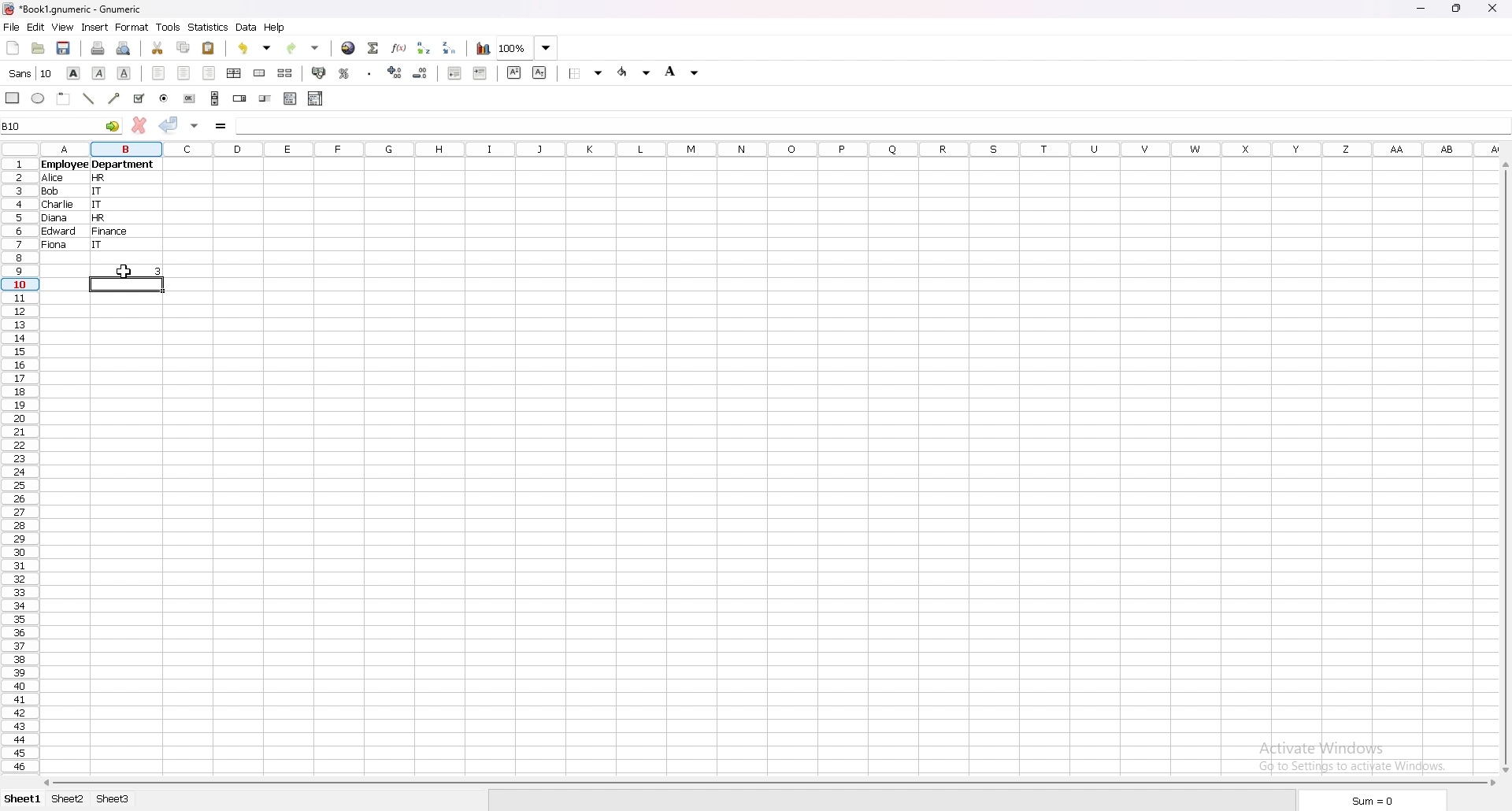 Image resolution: width=1512 pixels, height=811 pixels. Describe the element at coordinates (65, 47) in the screenshot. I see `save` at that location.